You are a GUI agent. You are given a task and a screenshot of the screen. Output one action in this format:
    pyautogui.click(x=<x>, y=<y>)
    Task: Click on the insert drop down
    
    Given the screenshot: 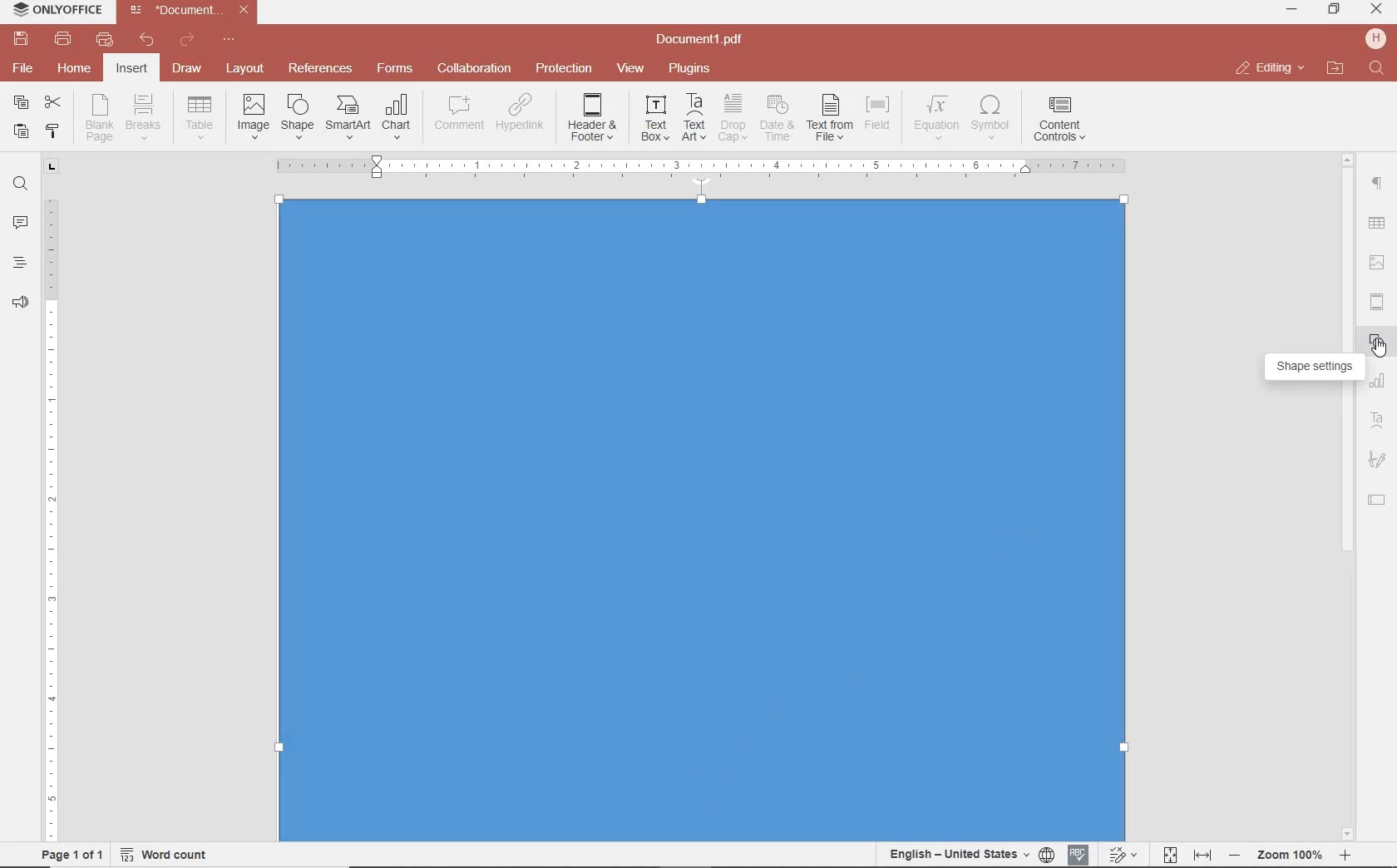 What is the action you would take?
    pyautogui.click(x=205, y=116)
    